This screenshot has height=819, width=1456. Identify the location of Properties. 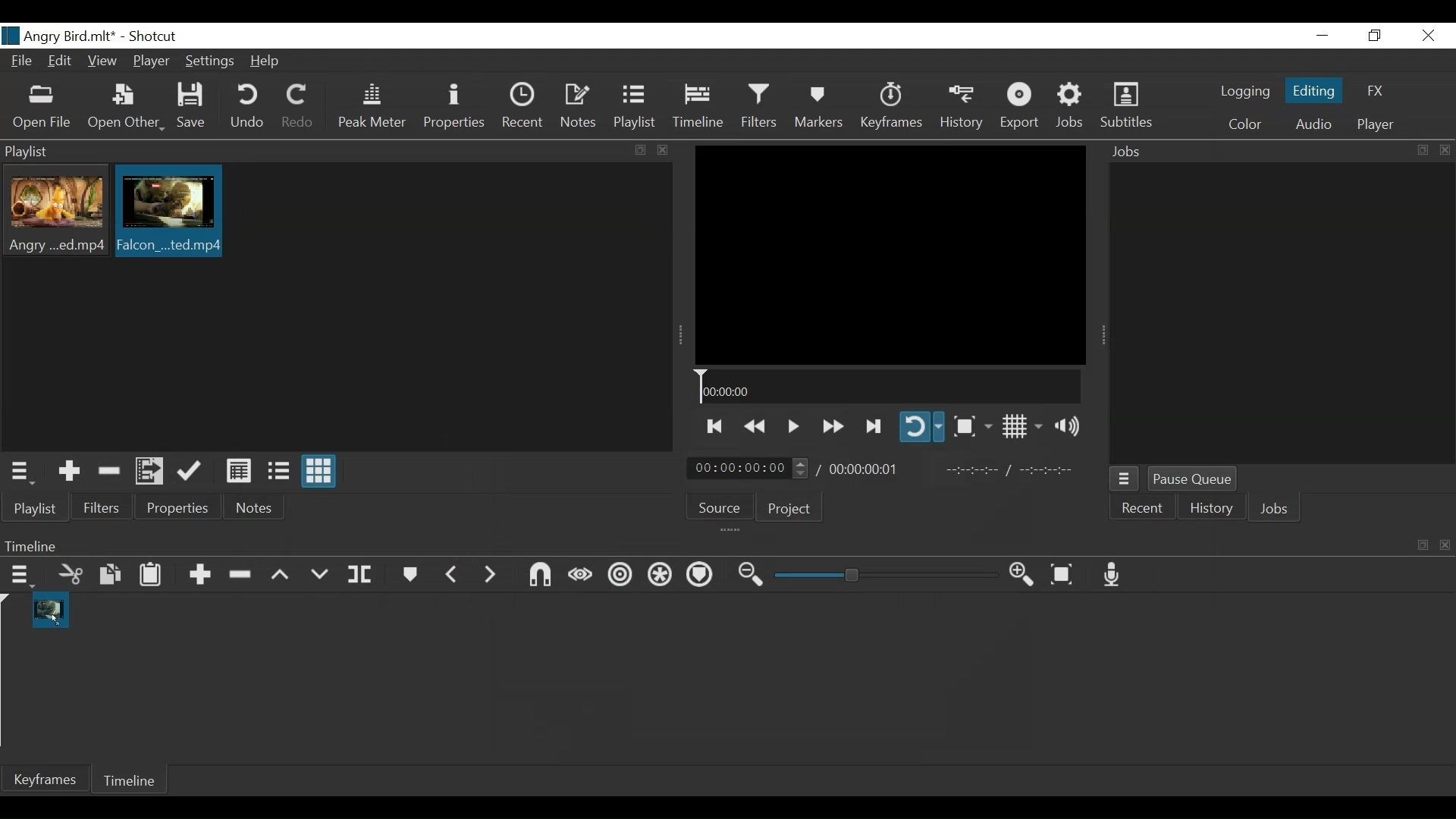
(456, 106).